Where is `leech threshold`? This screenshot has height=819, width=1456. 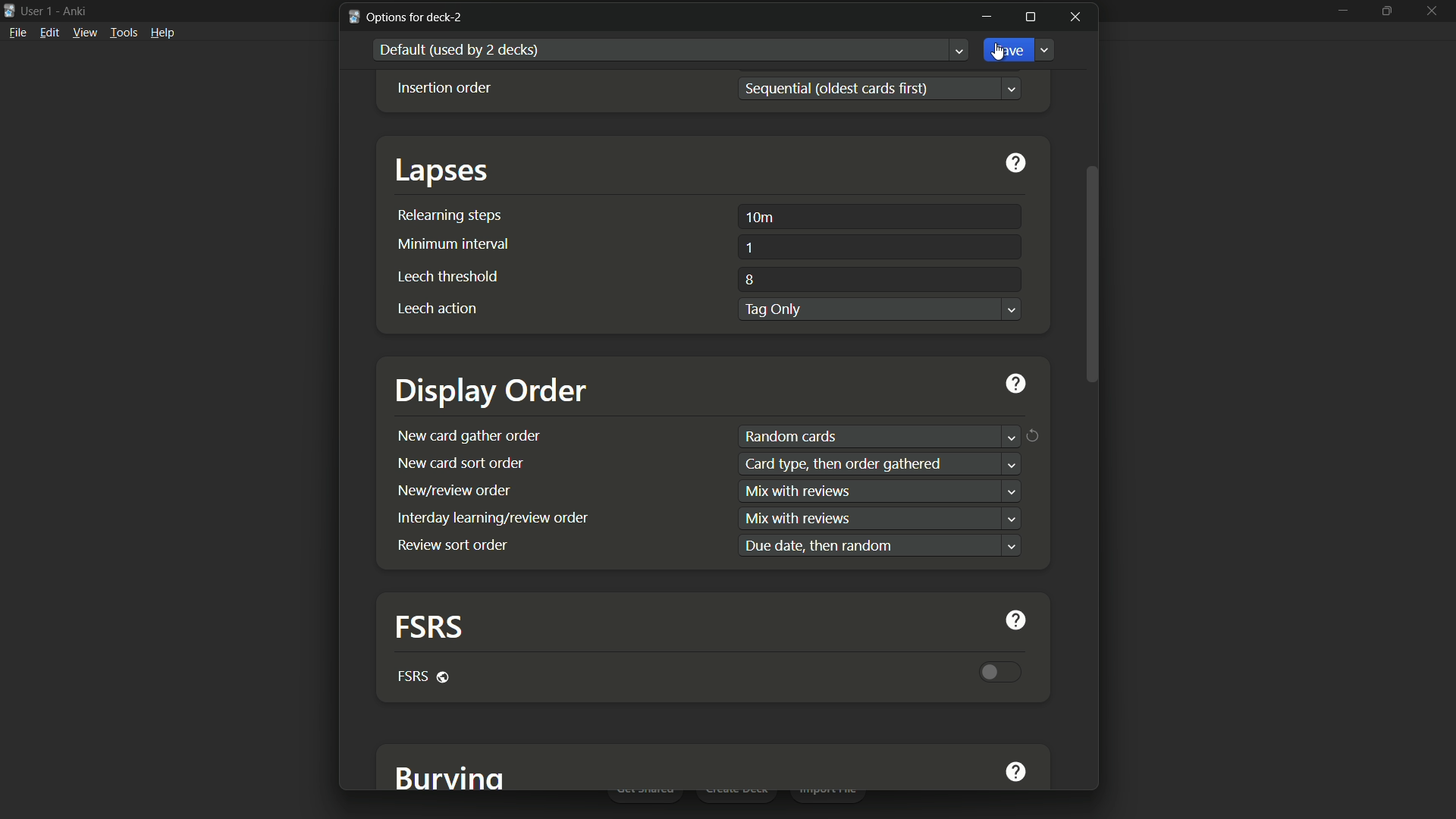
leech threshold is located at coordinates (448, 275).